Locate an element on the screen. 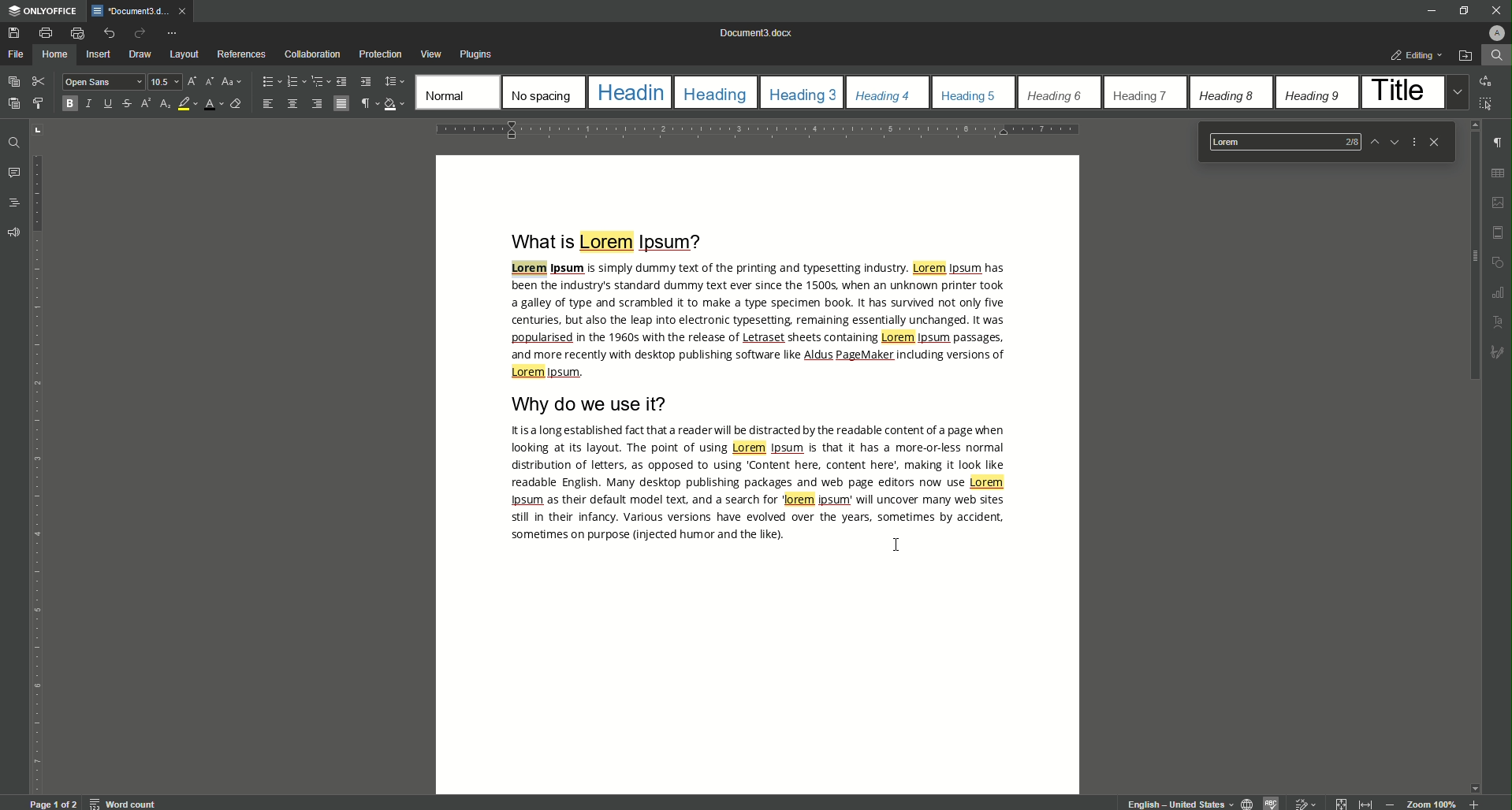  Zoom in is located at coordinates (1475, 804).